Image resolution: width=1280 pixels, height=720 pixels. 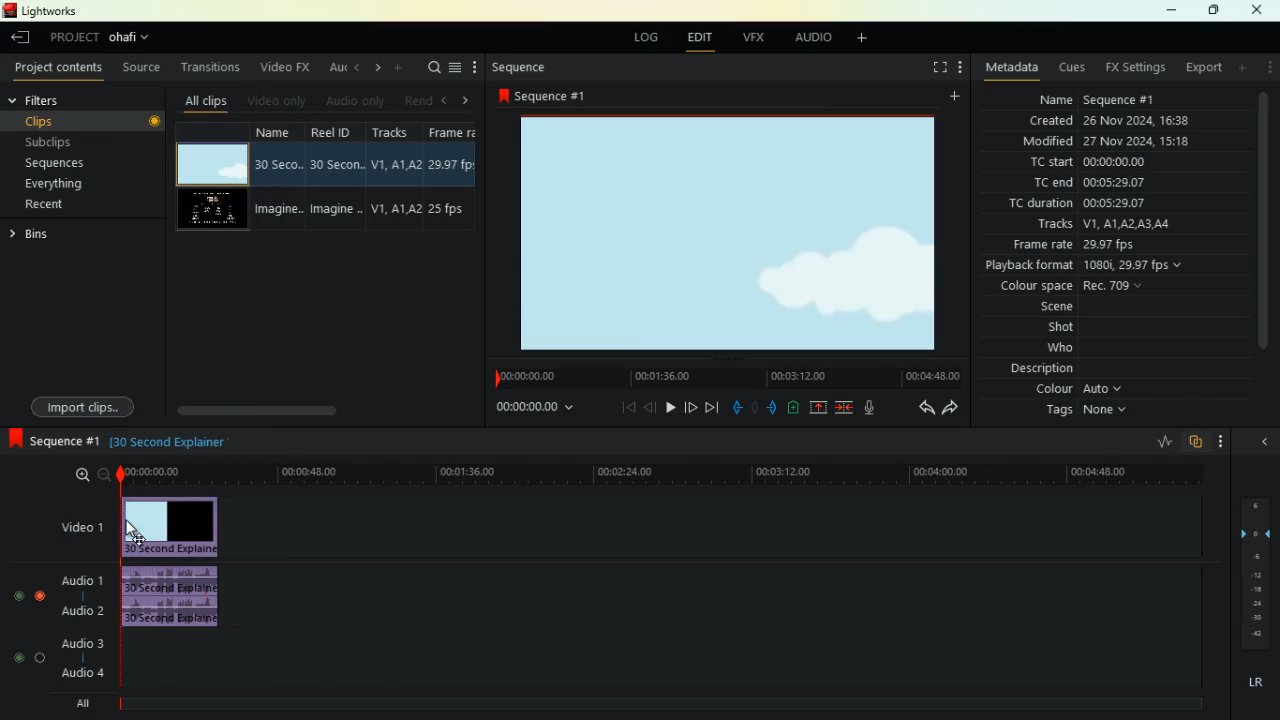 I want to click on lr, so click(x=1251, y=683).